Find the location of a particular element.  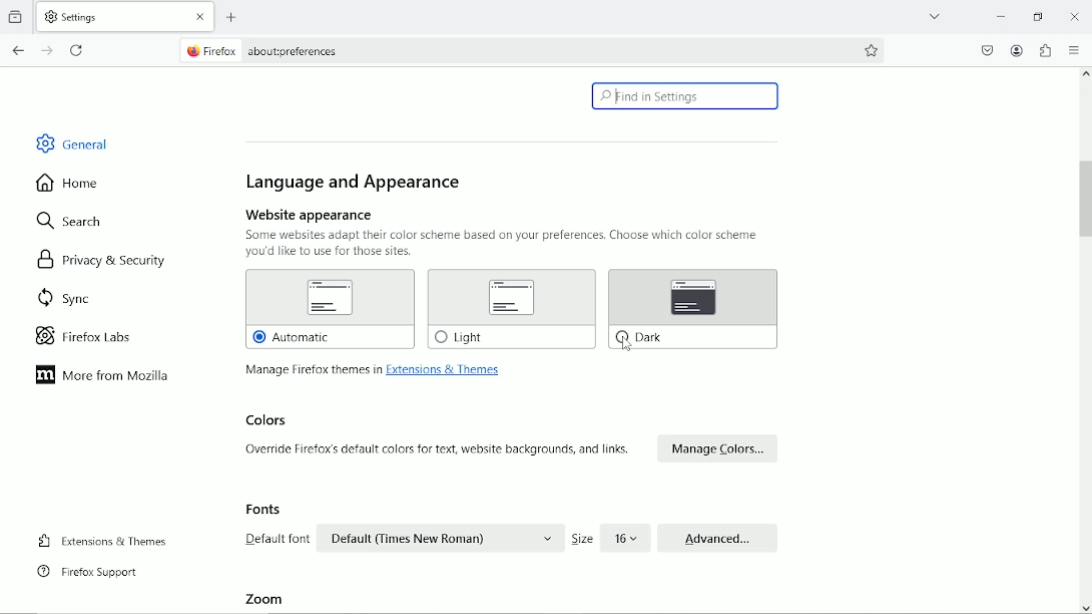

account is located at coordinates (1017, 50).